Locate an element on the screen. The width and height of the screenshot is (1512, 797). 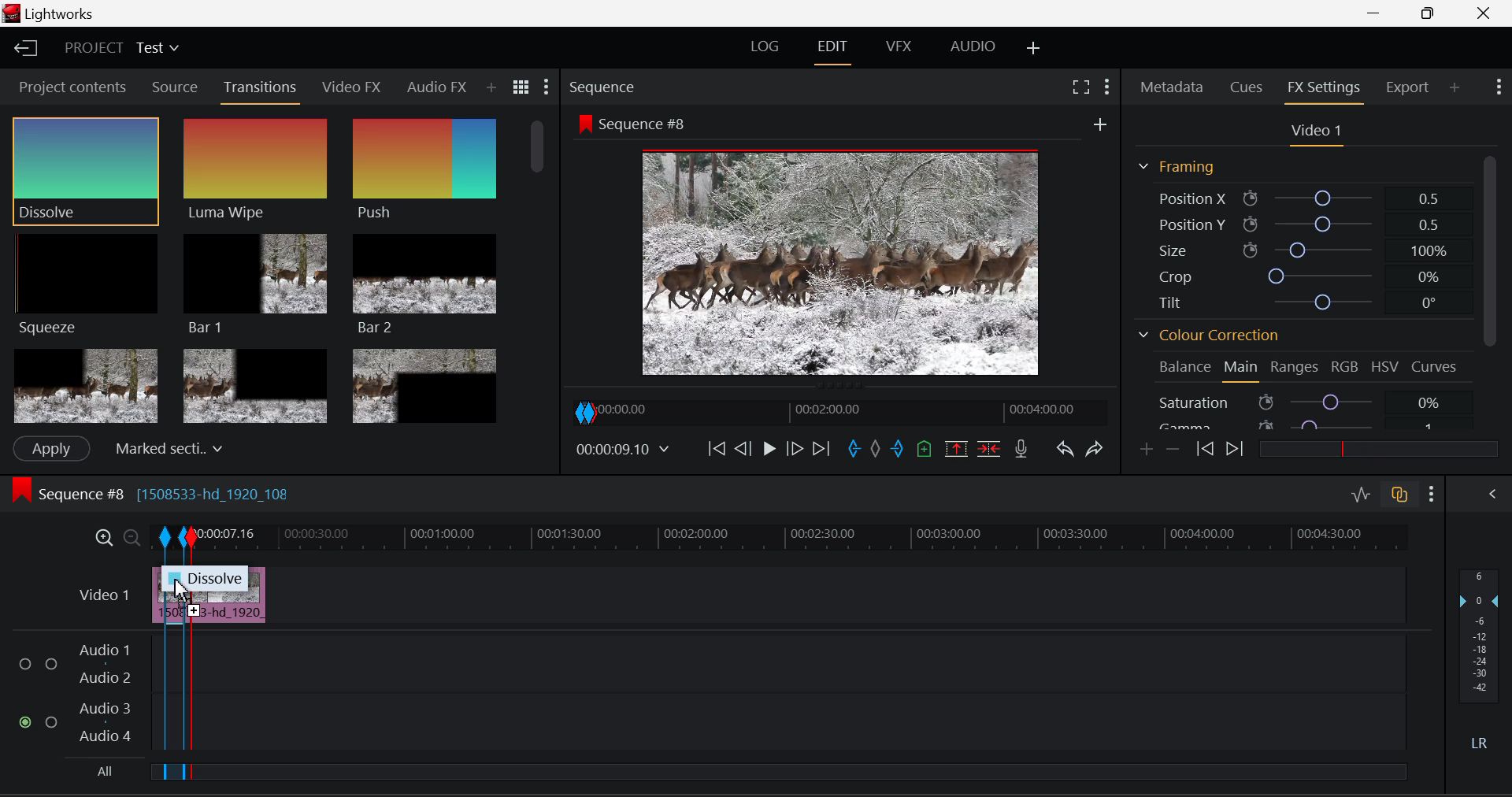
Audio 1 is located at coordinates (106, 651).